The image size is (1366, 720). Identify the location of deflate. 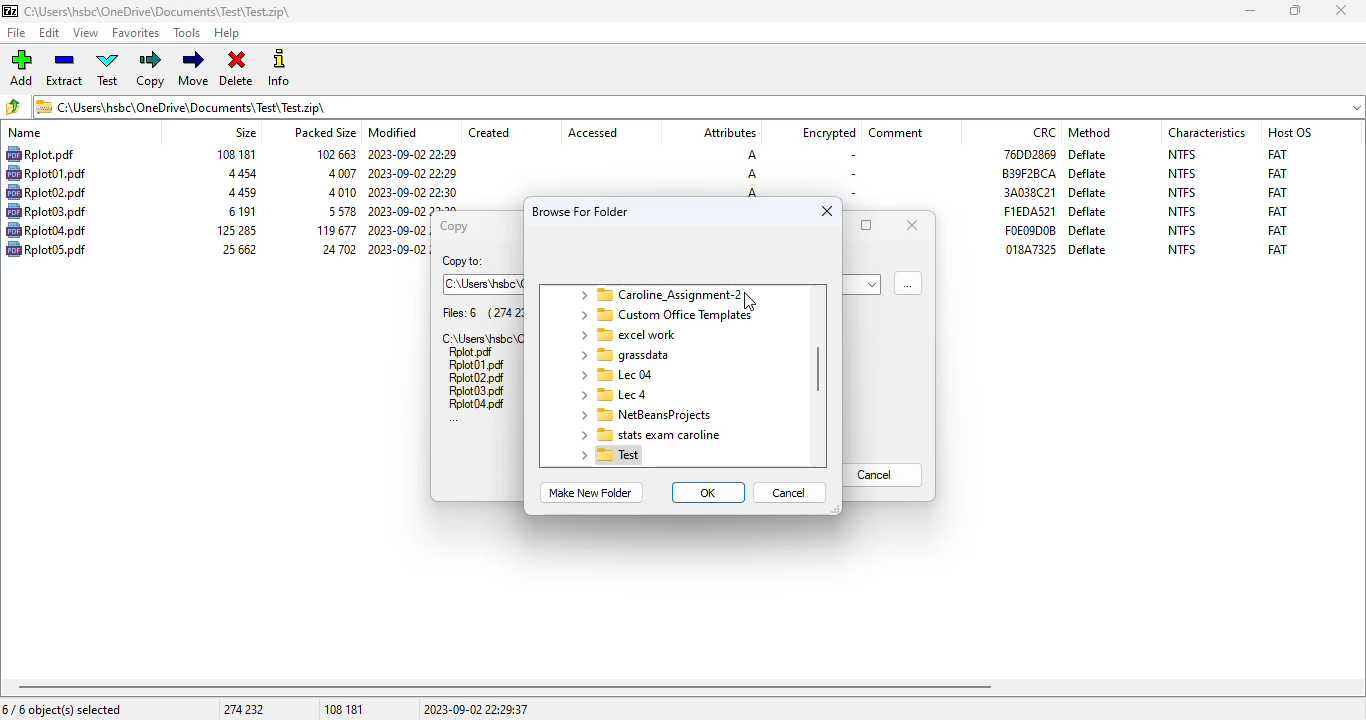
(1089, 154).